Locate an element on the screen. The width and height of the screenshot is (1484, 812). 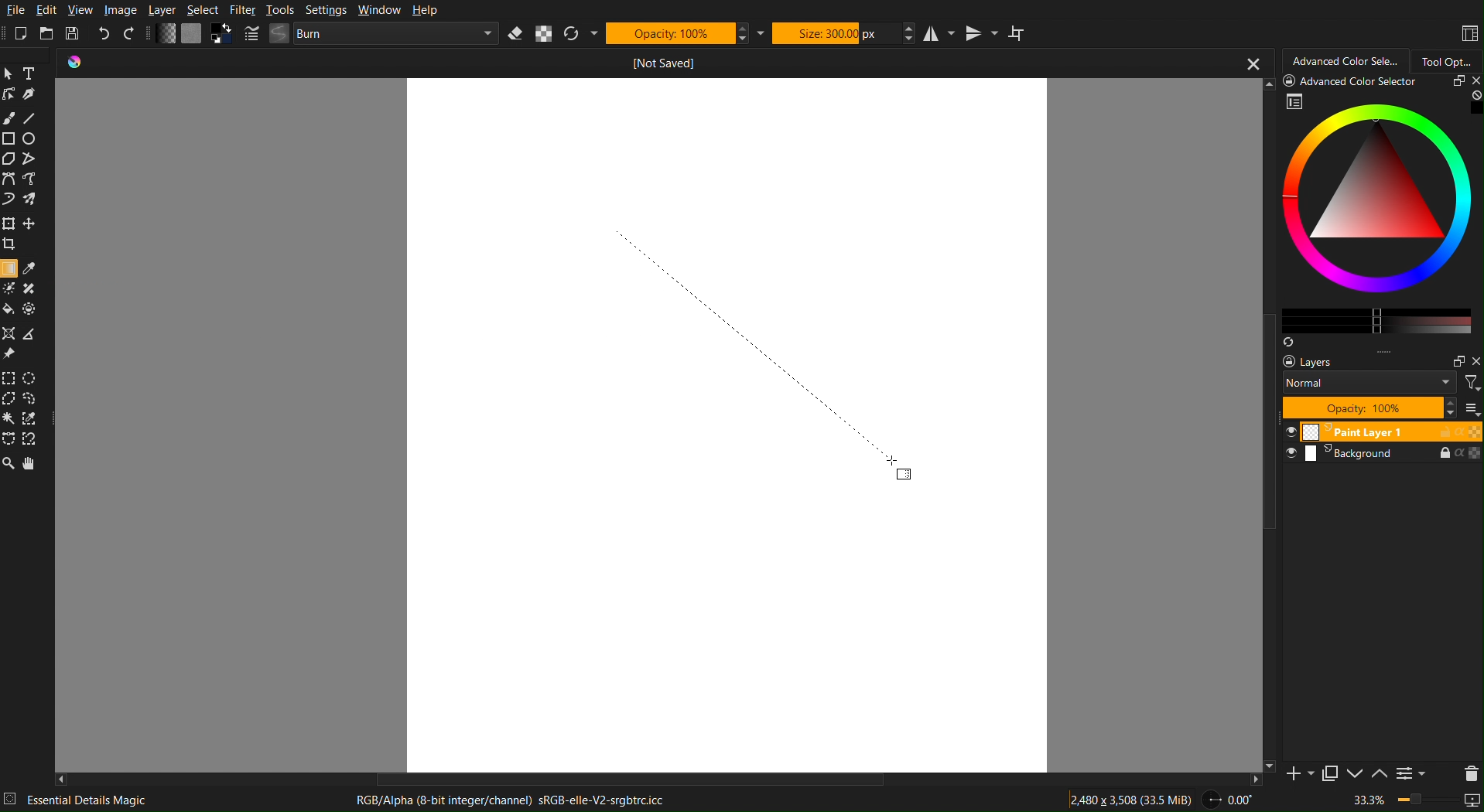
Move is located at coordinates (34, 464).